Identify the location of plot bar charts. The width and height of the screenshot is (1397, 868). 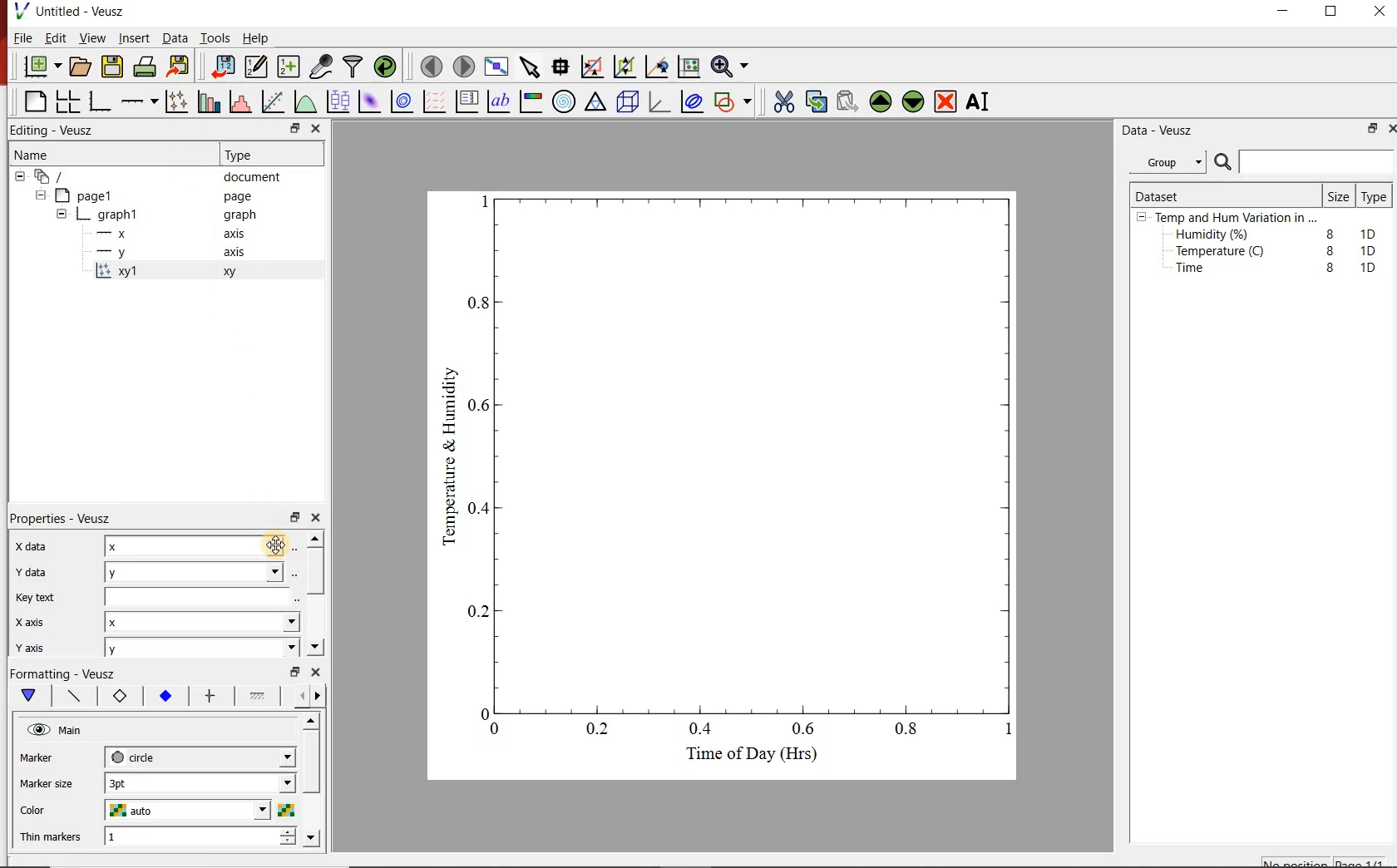
(210, 99).